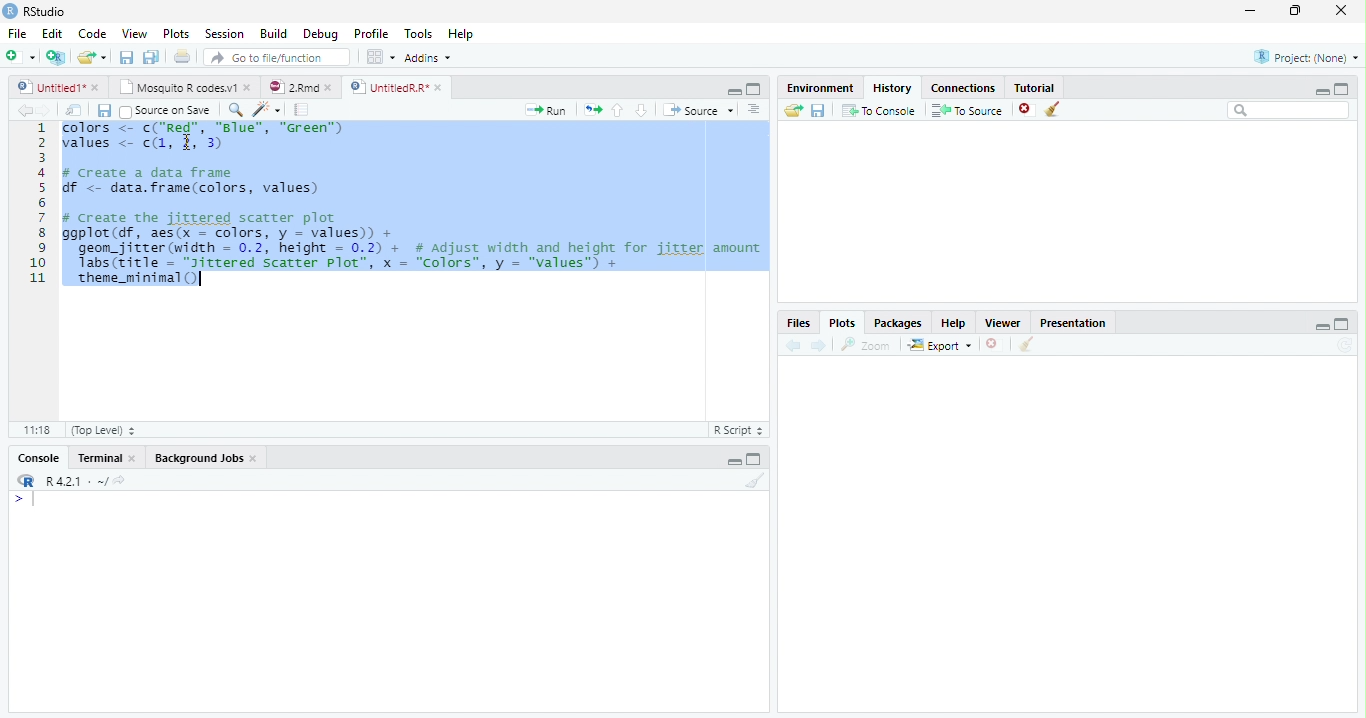 The height and width of the screenshot is (718, 1366). Describe the element at coordinates (39, 457) in the screenshot. I see `Console` at that location.